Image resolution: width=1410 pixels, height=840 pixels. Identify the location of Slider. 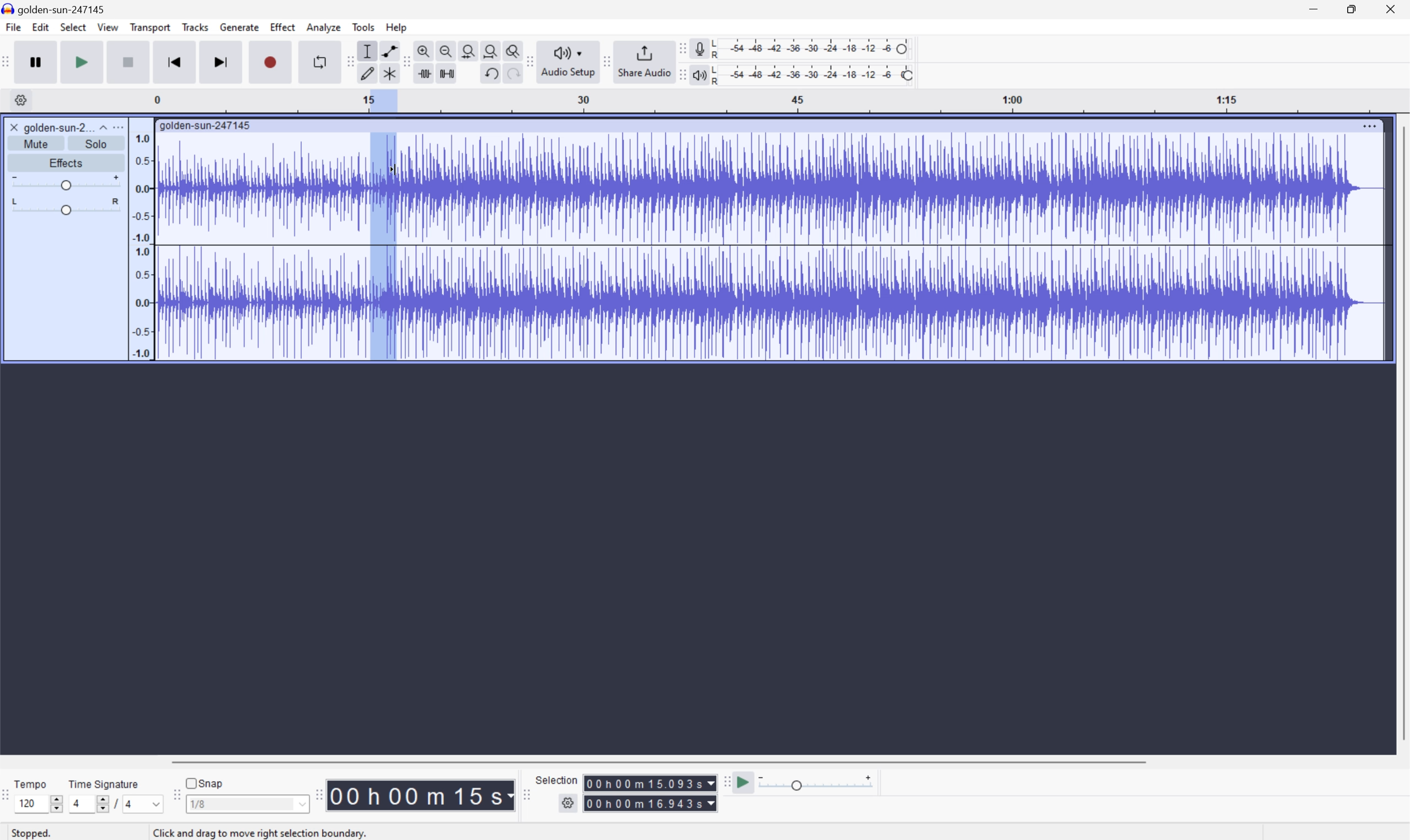
(54, 802).